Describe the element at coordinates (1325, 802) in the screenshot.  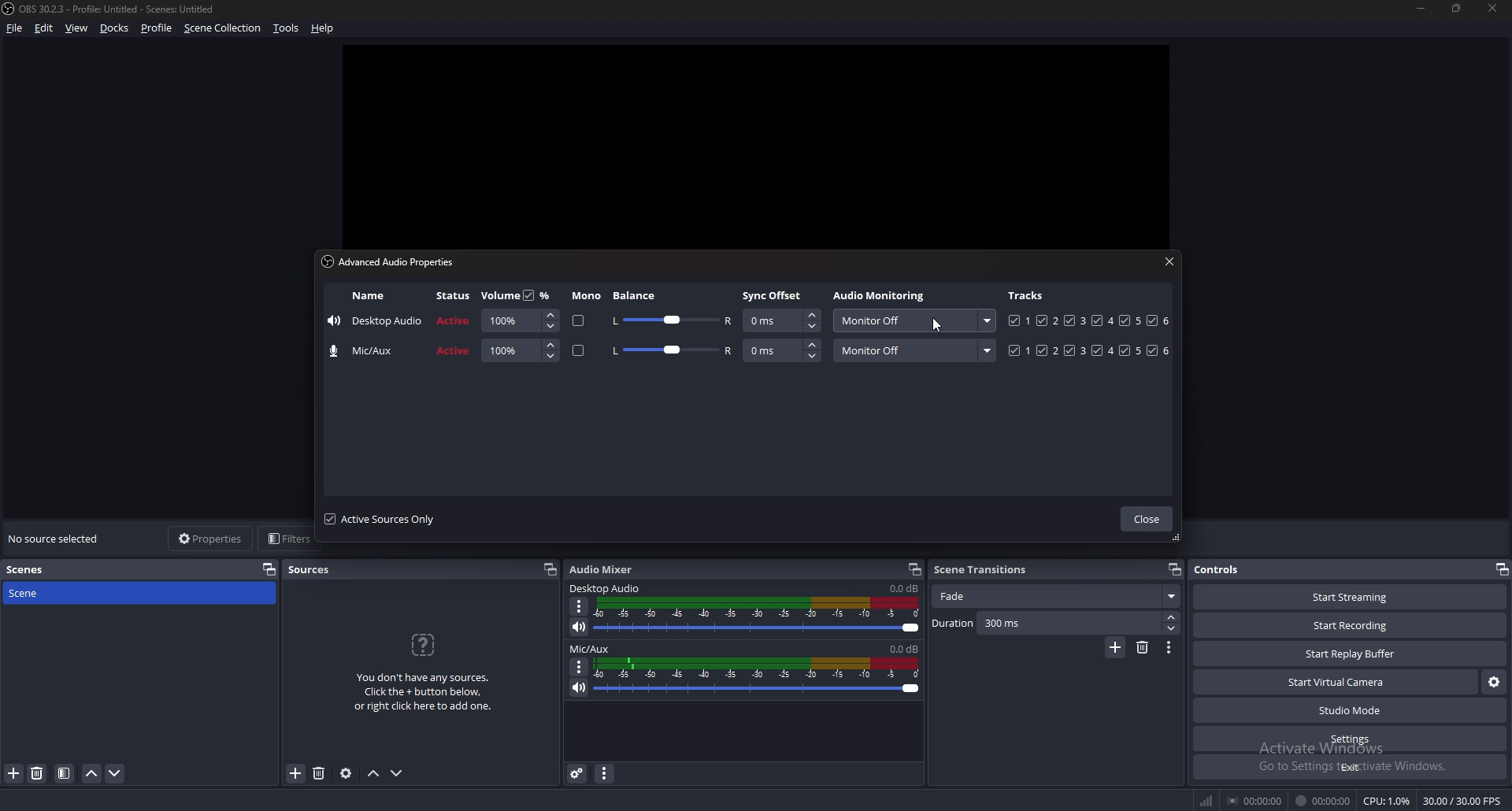
I see ` 00:00:00` at that location.